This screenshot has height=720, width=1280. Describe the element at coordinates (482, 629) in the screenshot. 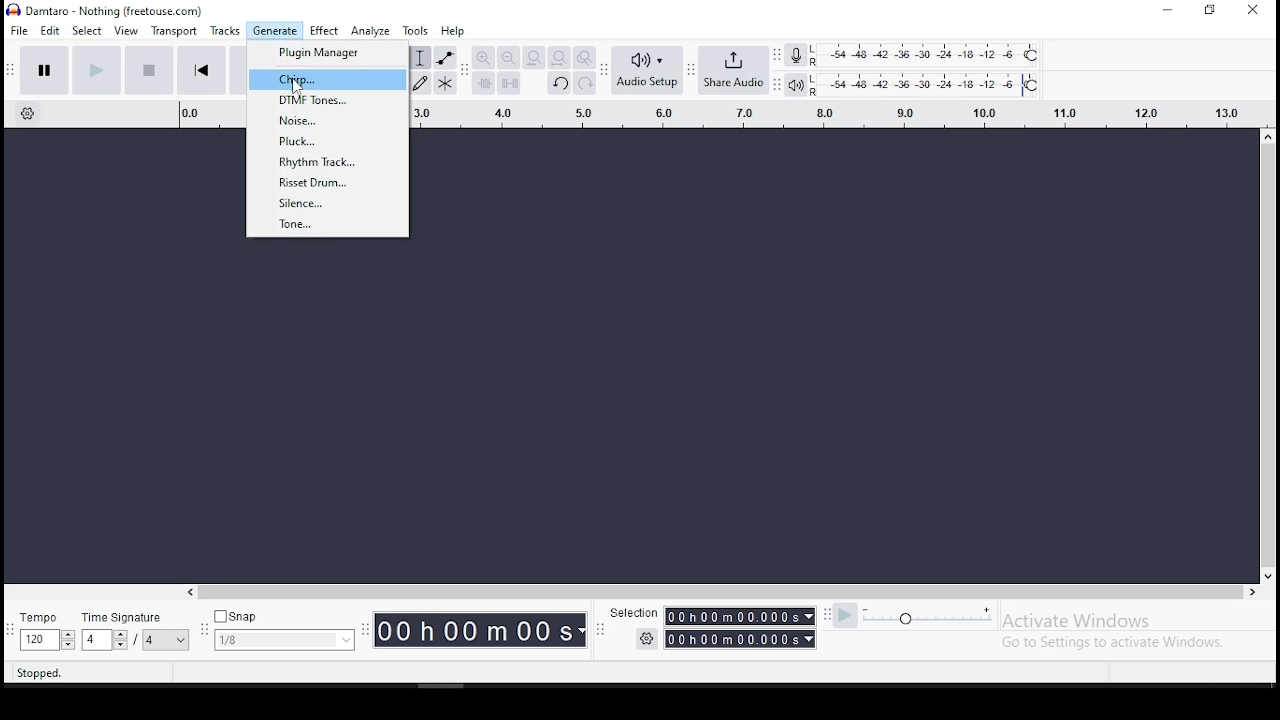

I see `duration` at that location.